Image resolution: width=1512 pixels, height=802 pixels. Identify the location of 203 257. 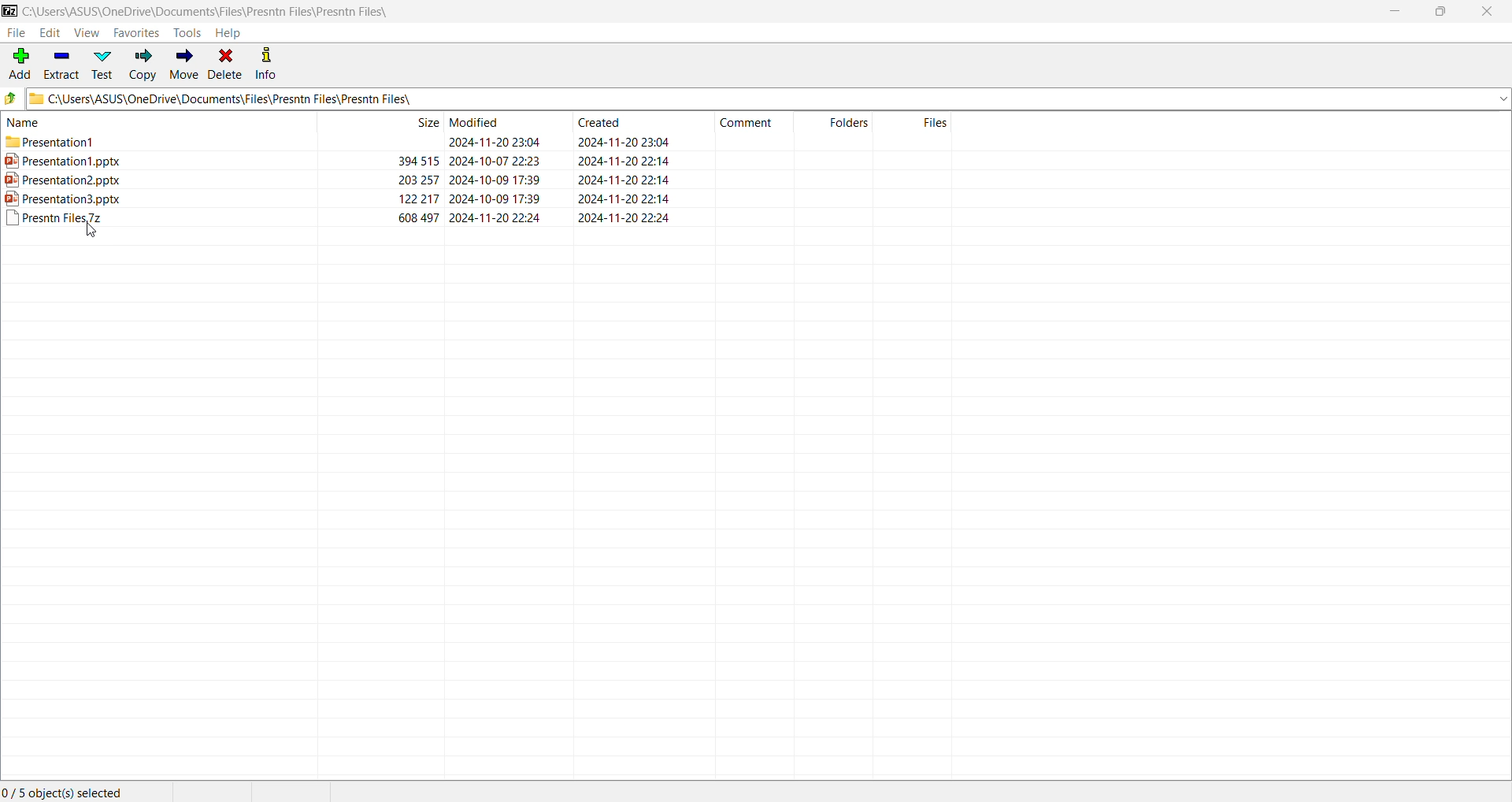
(413, 180).